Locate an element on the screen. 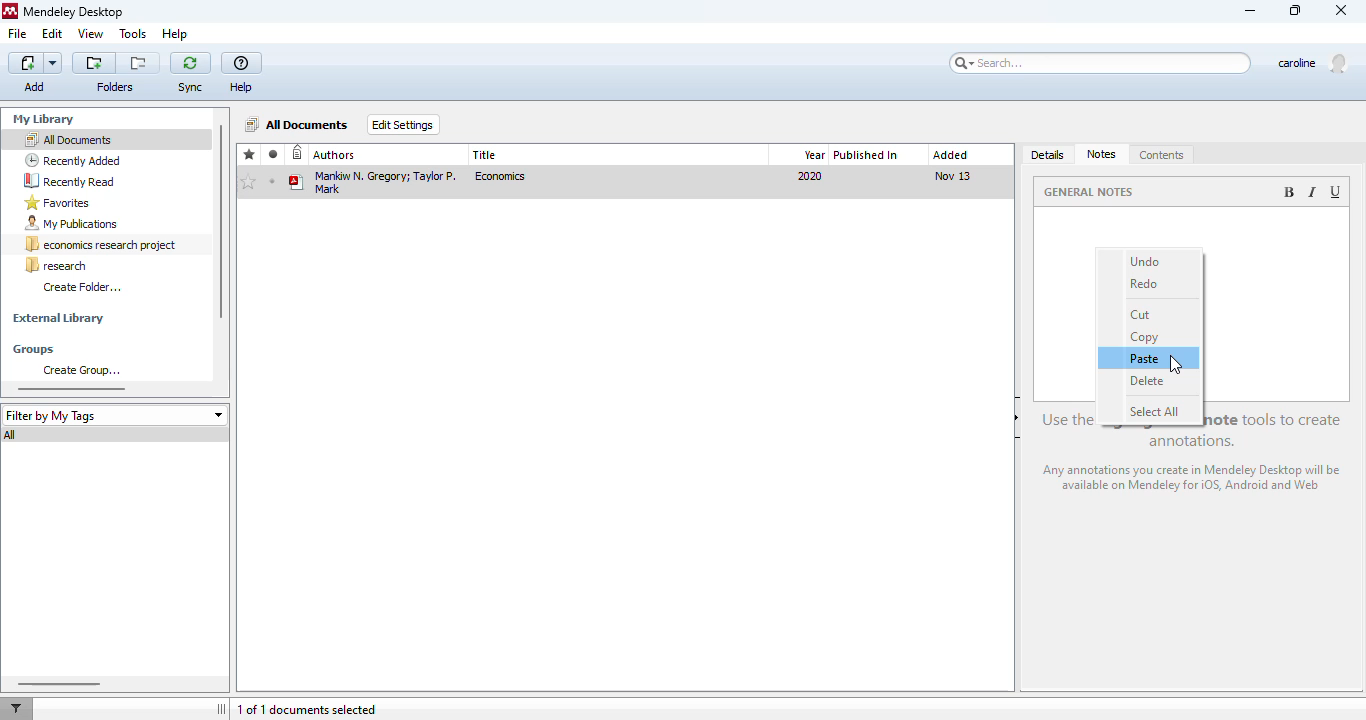 The height and width of the screenshot is (720, 1366). search is located at coordinates (1101, 63).